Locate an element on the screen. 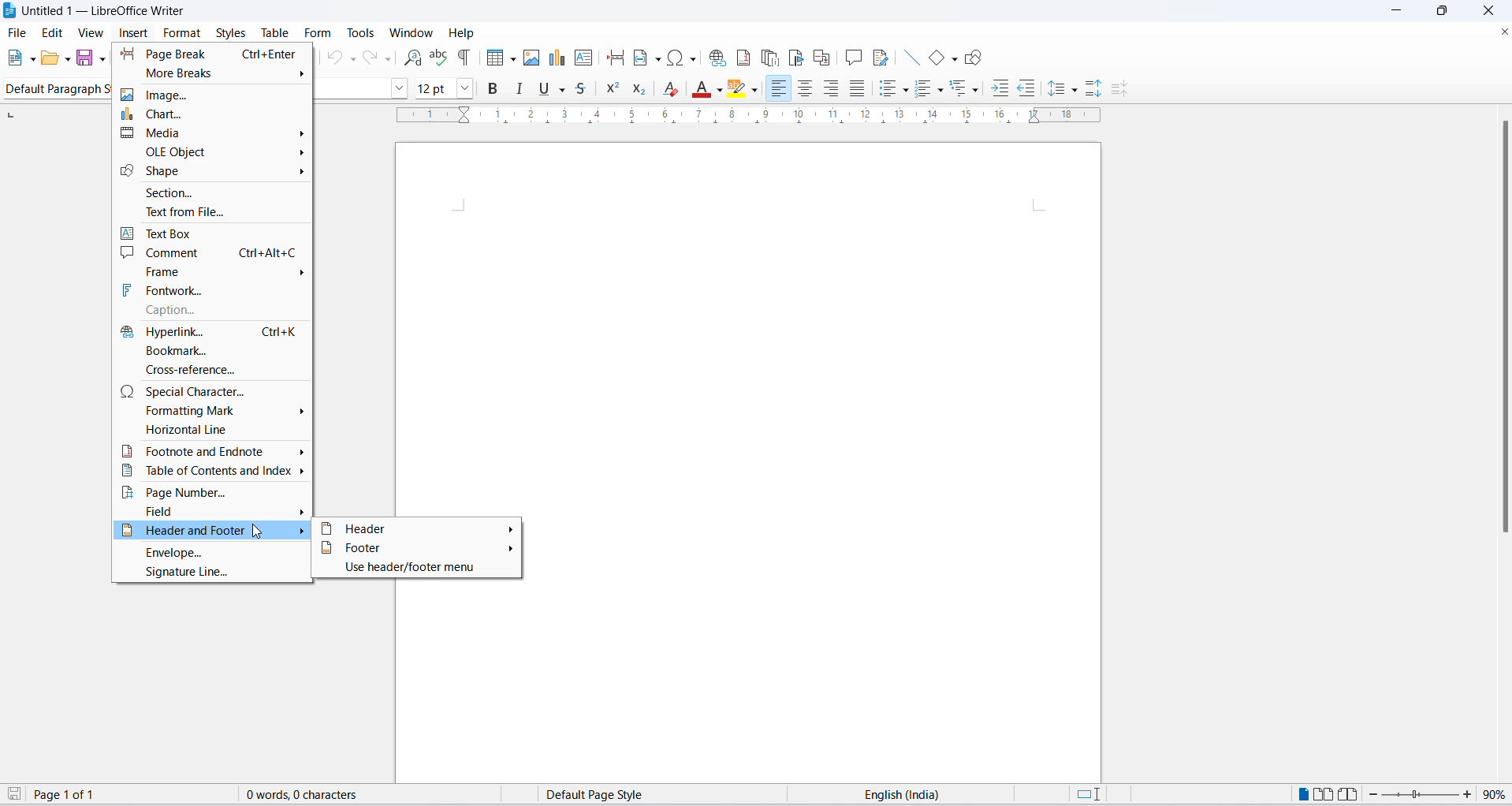  styles is located at coordinates (229, 31).